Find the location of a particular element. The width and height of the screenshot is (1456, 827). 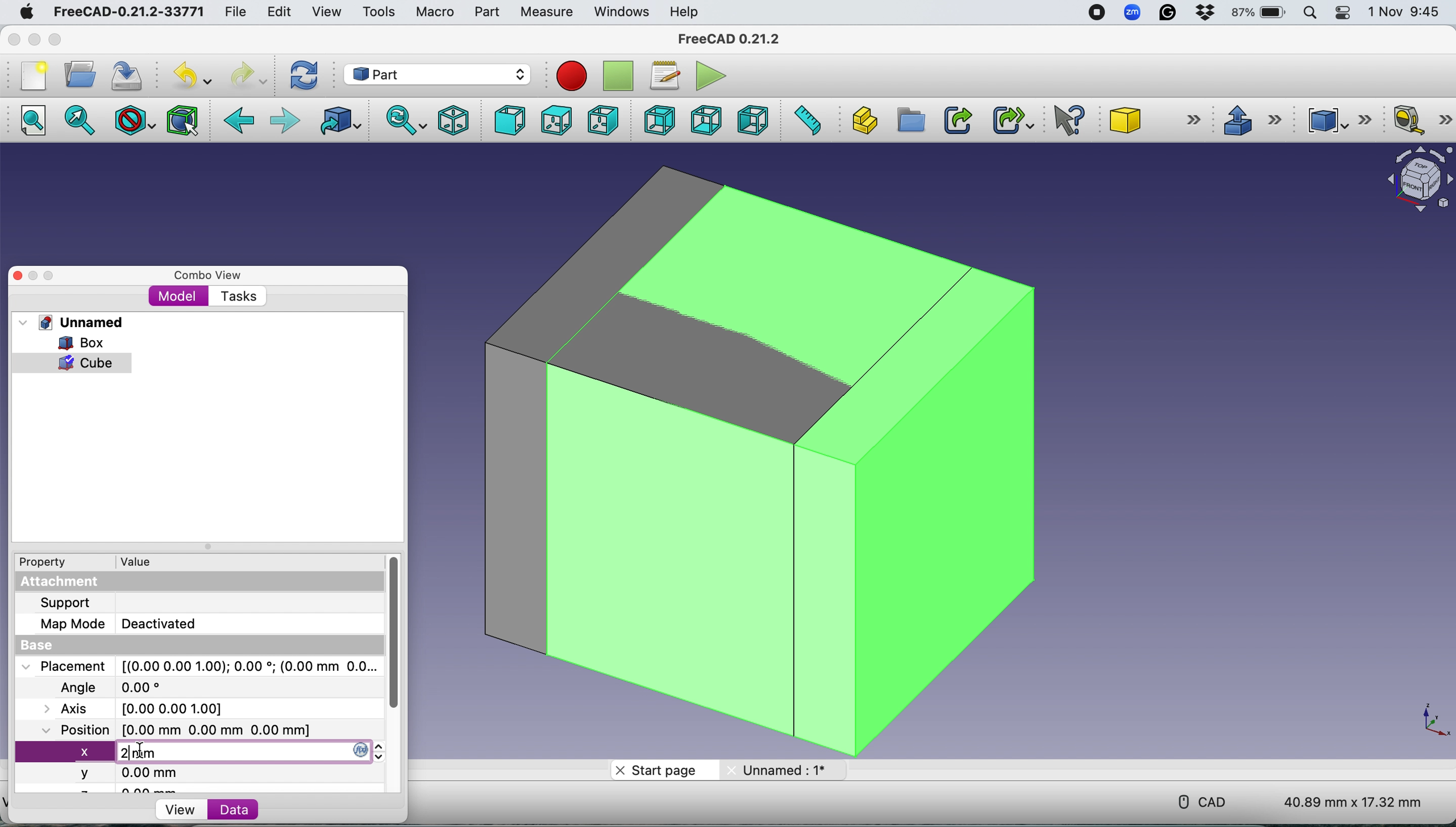

Support is located at coordinates (65, 602).